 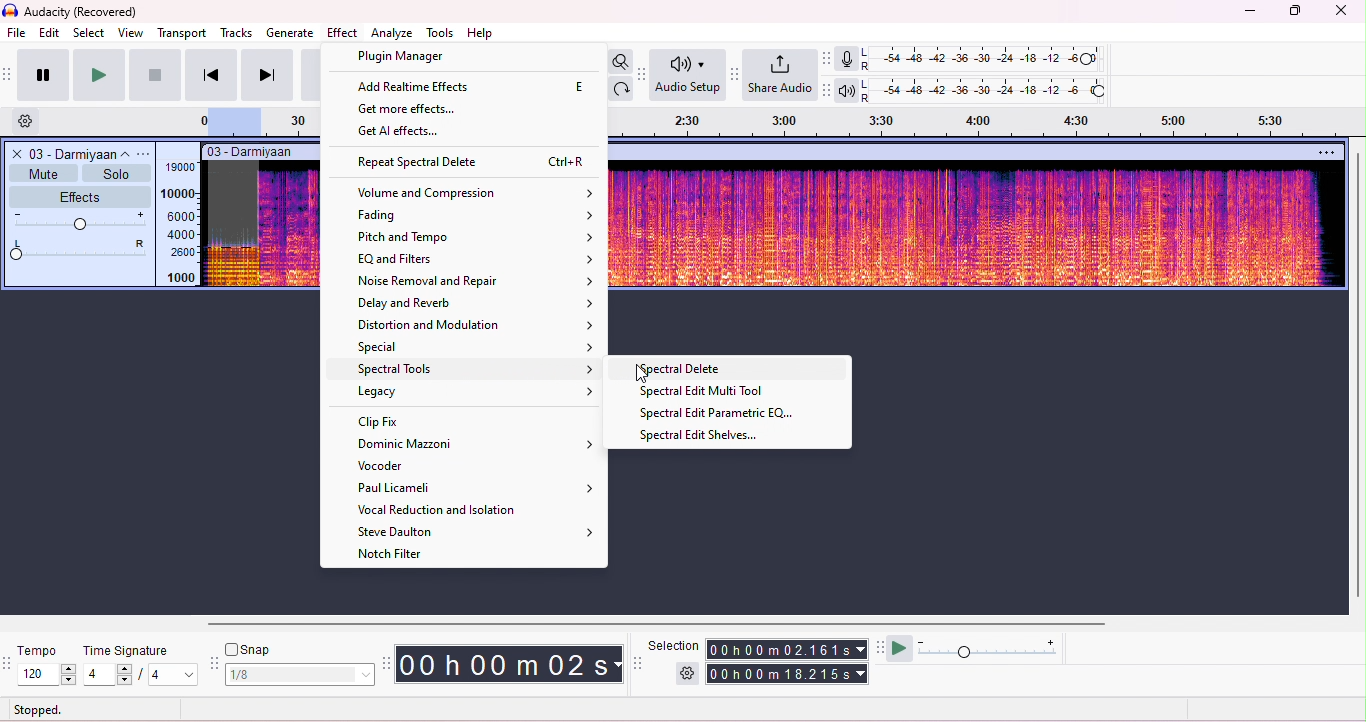 What do you see at coordinates (477, 371) in the screenshot?
I see `spectral tools` at bounding box center [477, 371].